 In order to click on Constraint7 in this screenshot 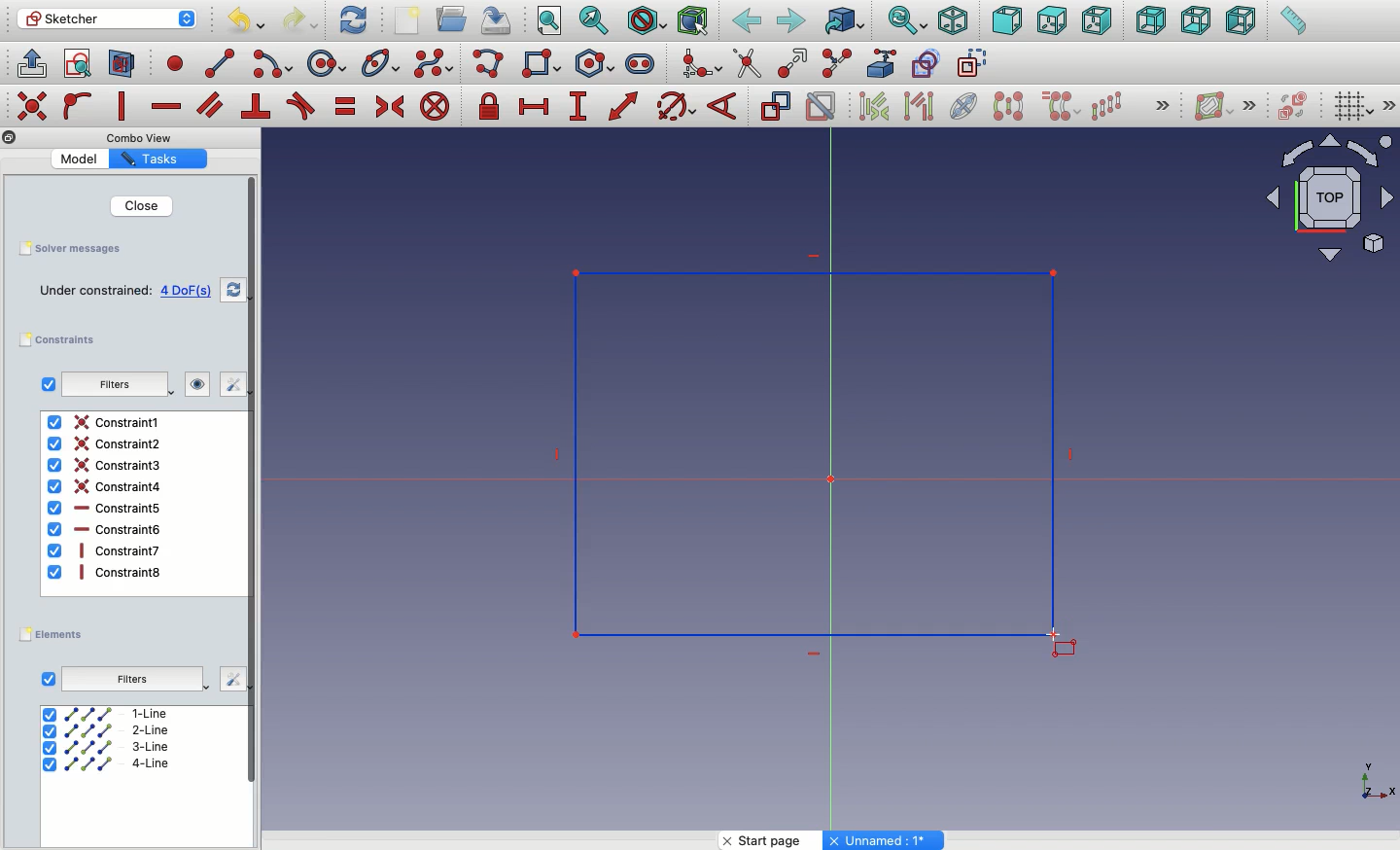, I will do `click(105, 549)`.